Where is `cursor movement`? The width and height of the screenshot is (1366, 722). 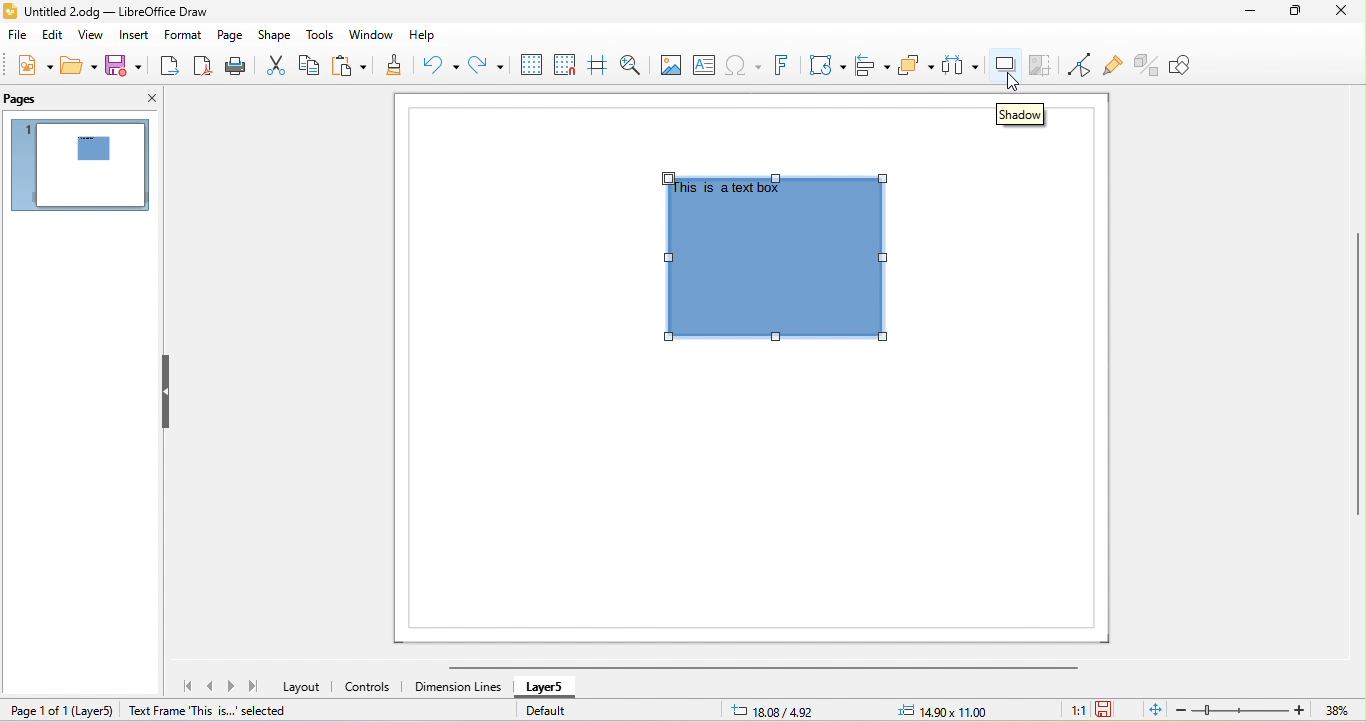
cursor movement is located at coordinates (1013, 84).